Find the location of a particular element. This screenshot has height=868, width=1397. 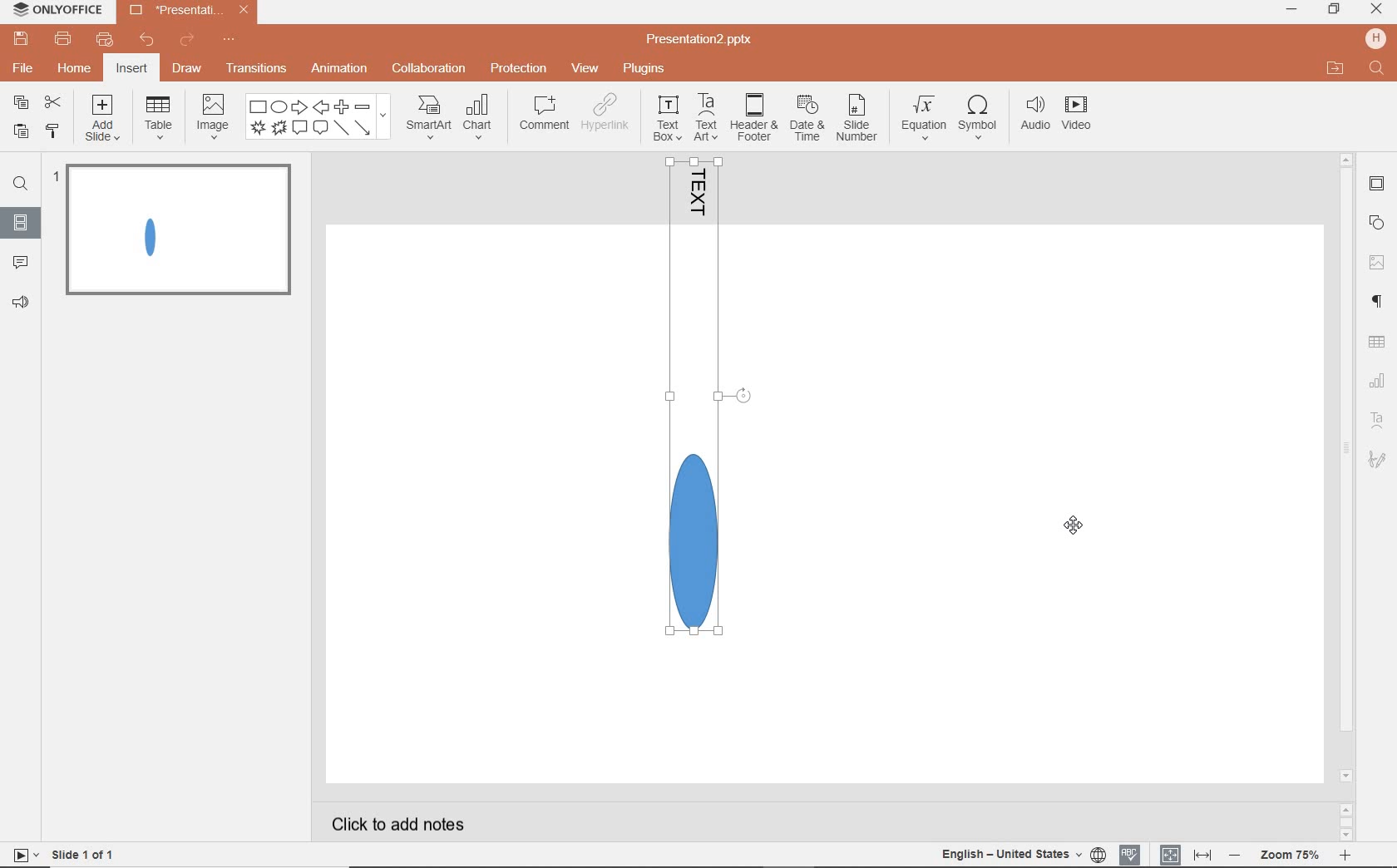

hyperlink is located at coordinates (606, 114).